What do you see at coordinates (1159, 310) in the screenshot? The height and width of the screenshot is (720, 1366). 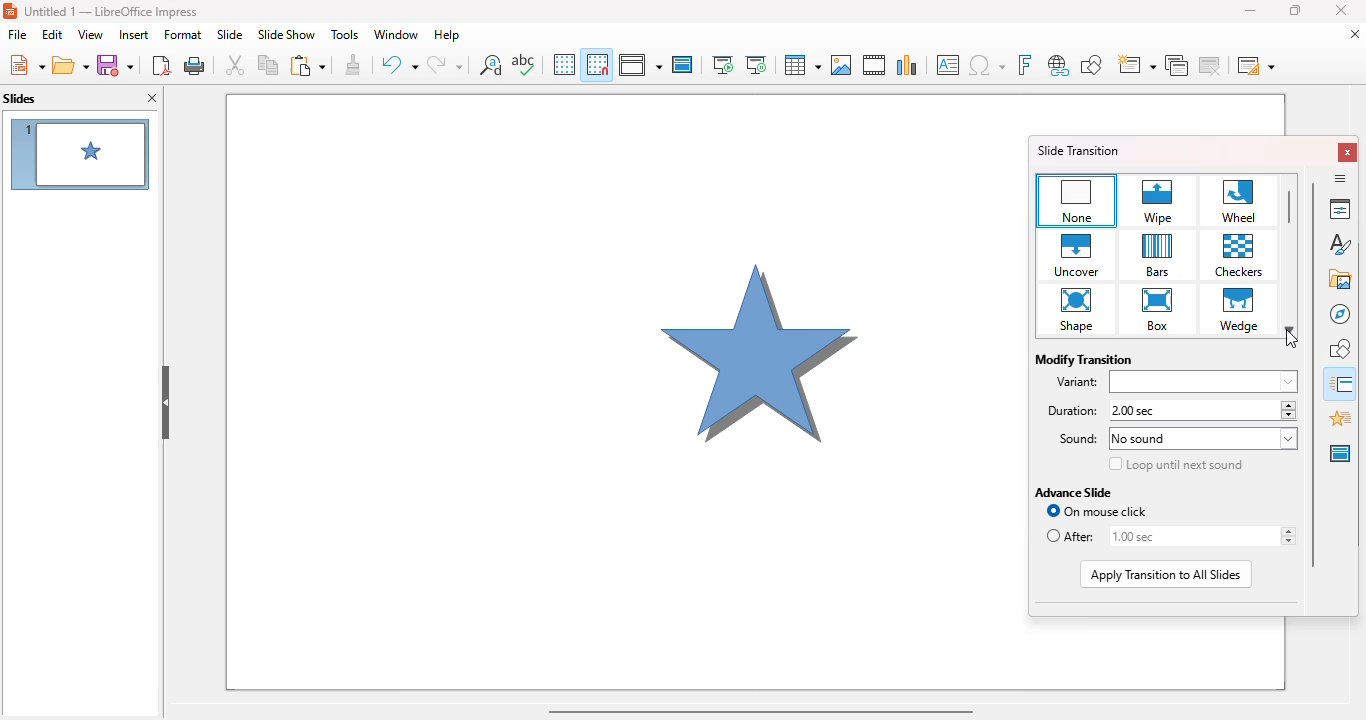 I see `box` at bounding box center [1159, 310].